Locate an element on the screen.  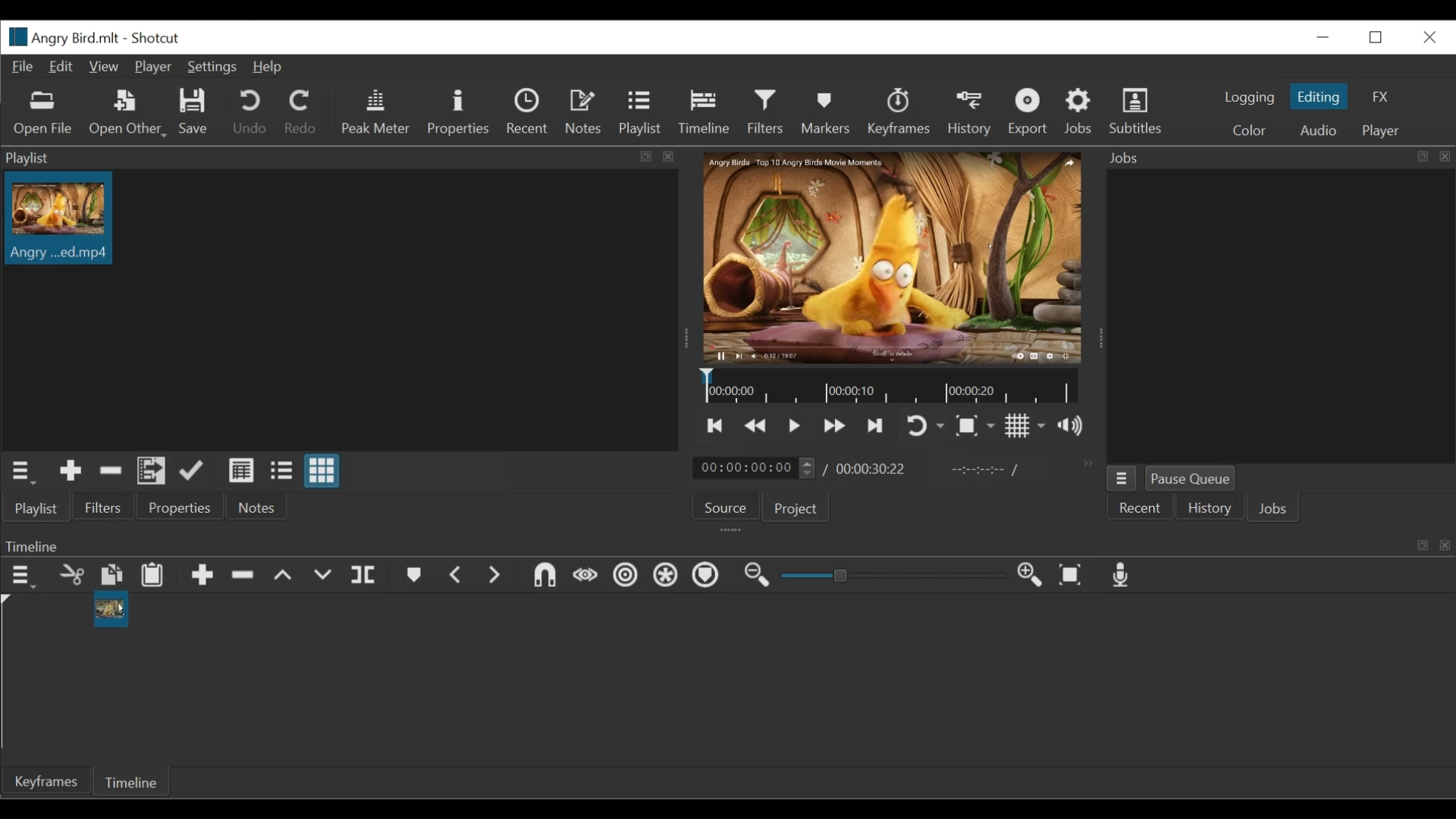
Close is located at coordinates (1428, 37).